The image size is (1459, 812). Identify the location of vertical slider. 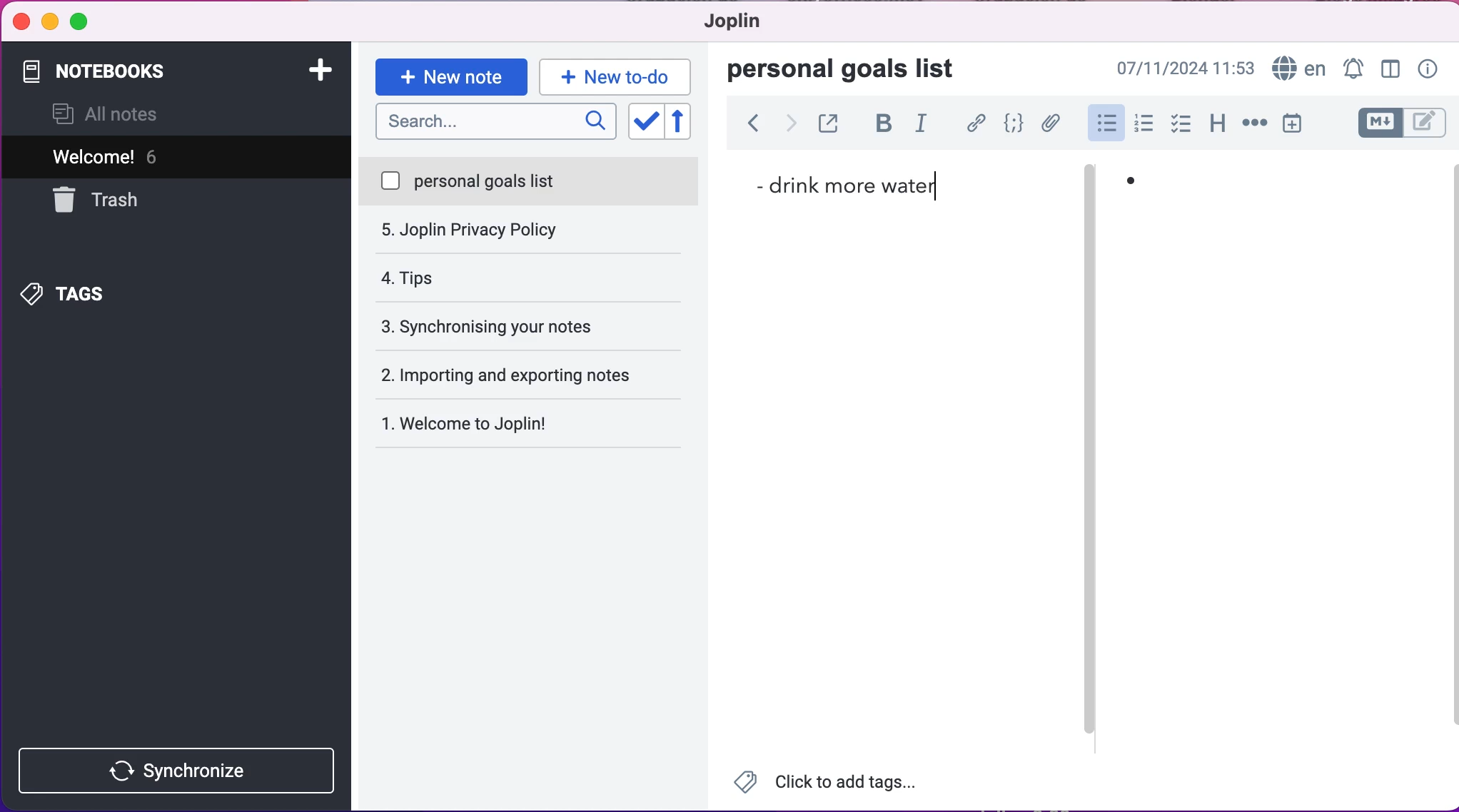
(1089, 214).